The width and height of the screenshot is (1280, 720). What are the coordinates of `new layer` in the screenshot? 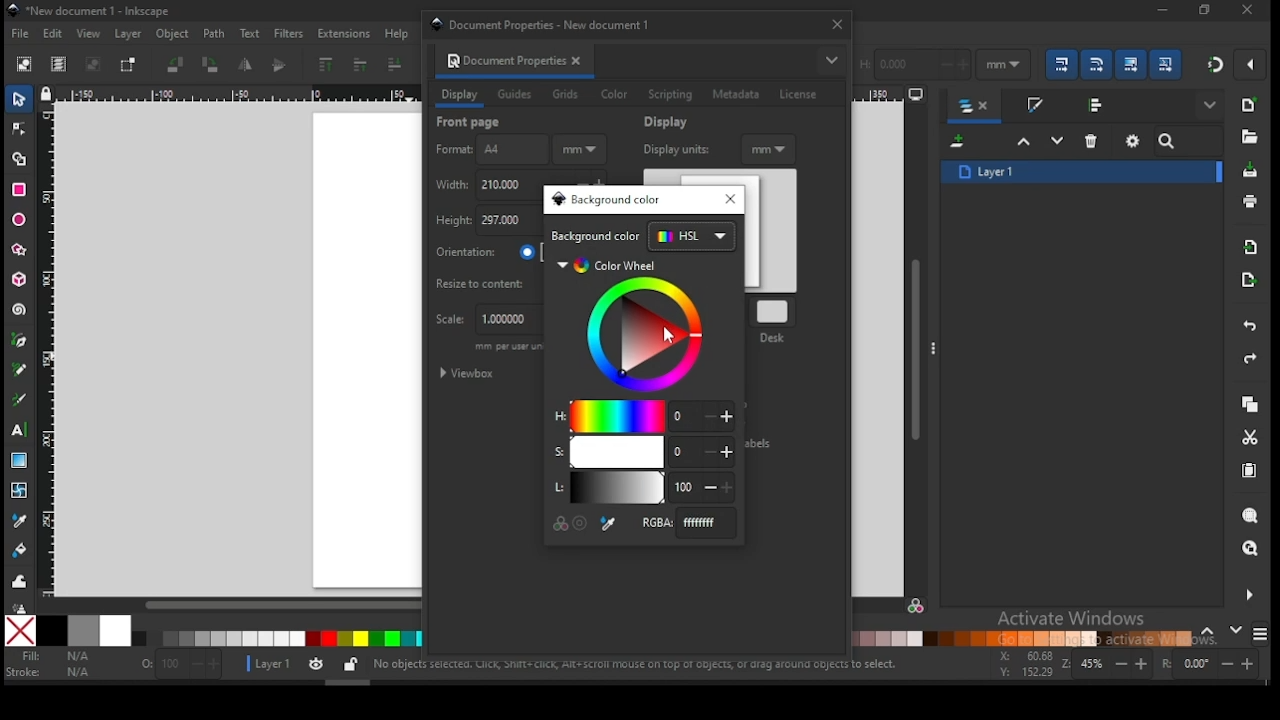 It's located at (960, 143).